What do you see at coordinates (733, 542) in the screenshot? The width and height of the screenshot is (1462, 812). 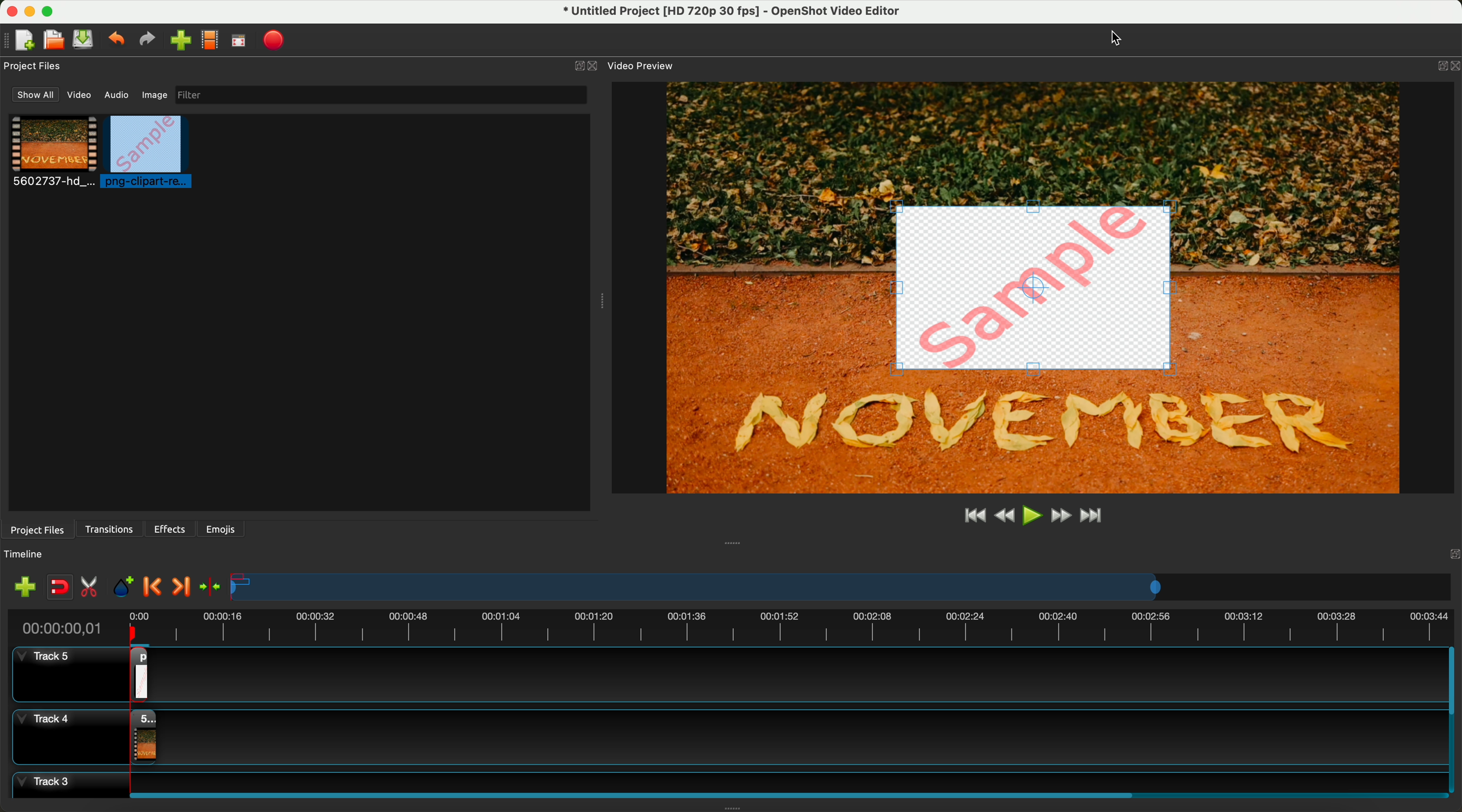 I see `Window Expanding` at bounding box center [733, 542].